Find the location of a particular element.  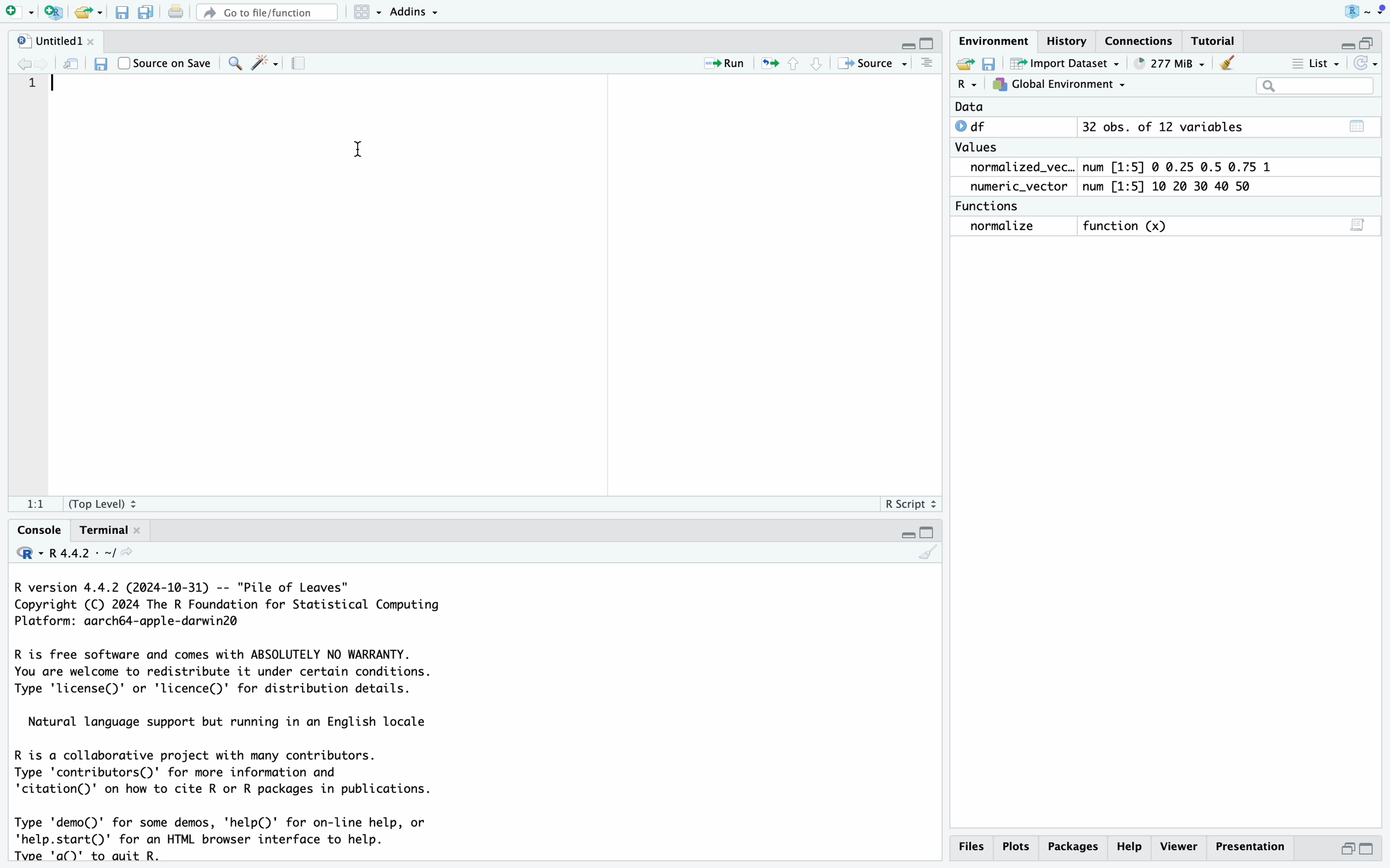

open an existing file is located at coordinates (87, 11).